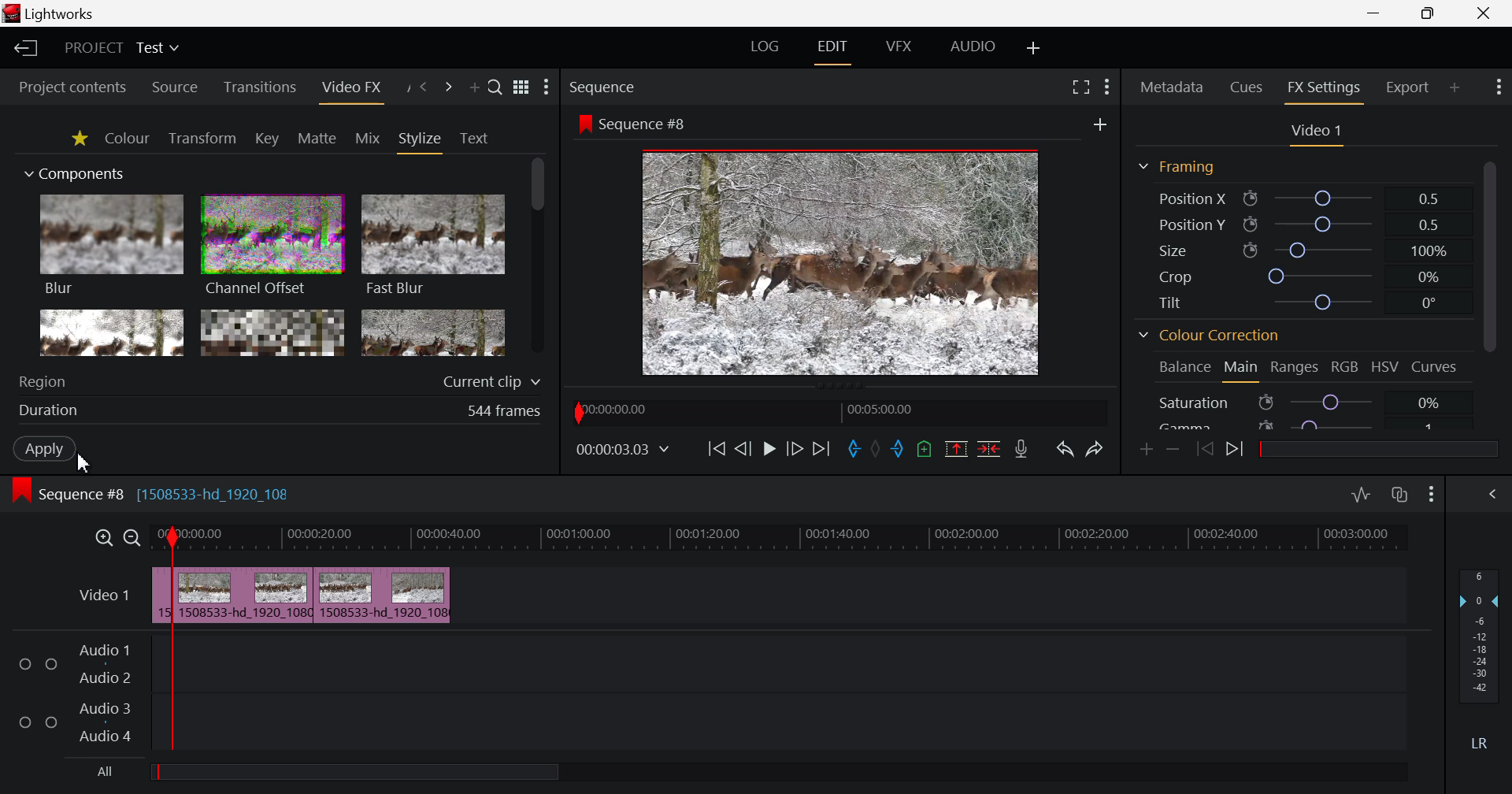  What do you see at coordinates (538, 258) in the screenshot?
I see `Scroll Bar` at bounding box center [538, 258].